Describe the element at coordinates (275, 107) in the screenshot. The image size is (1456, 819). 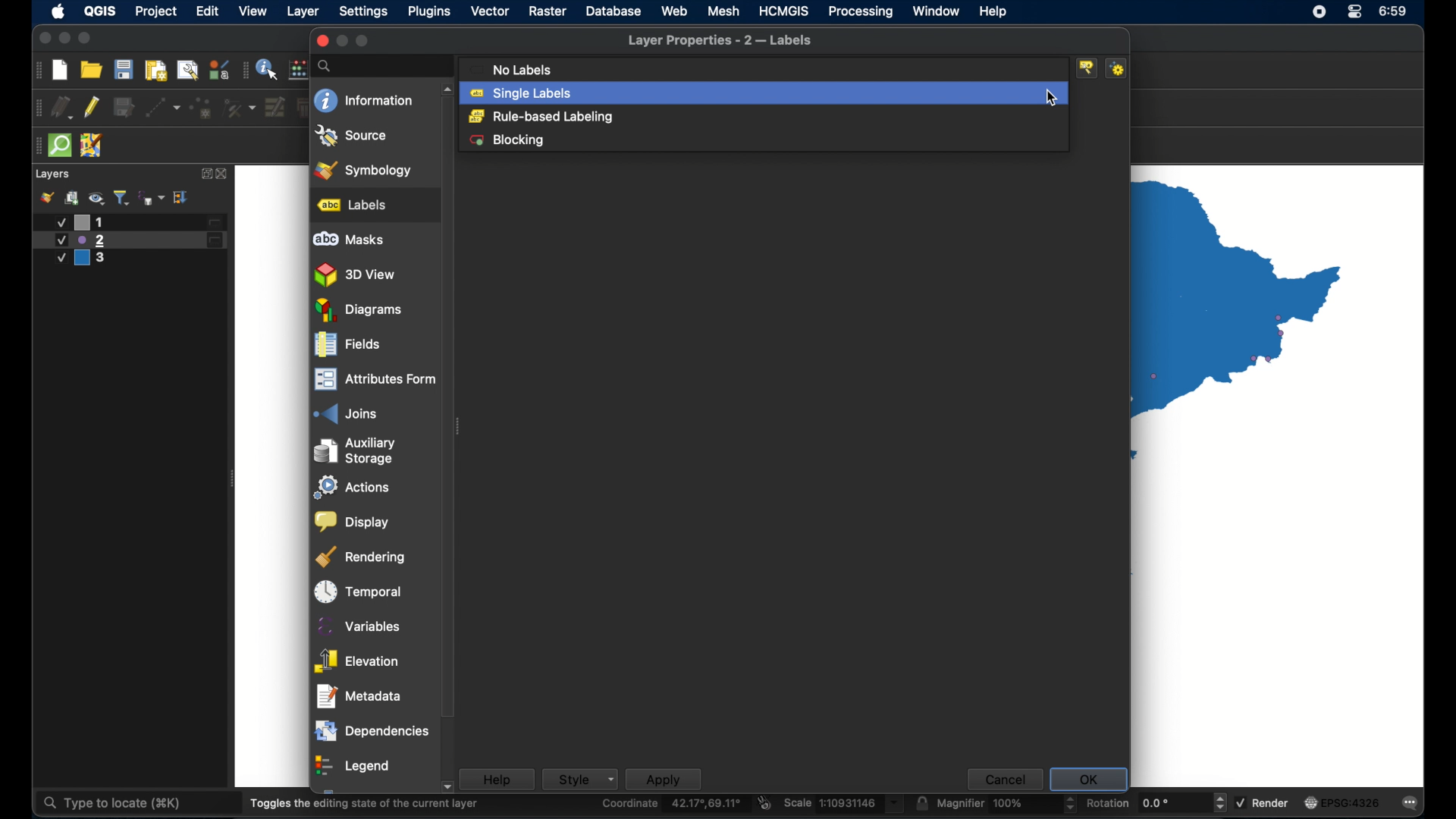
I see `modify attributes` at that location.